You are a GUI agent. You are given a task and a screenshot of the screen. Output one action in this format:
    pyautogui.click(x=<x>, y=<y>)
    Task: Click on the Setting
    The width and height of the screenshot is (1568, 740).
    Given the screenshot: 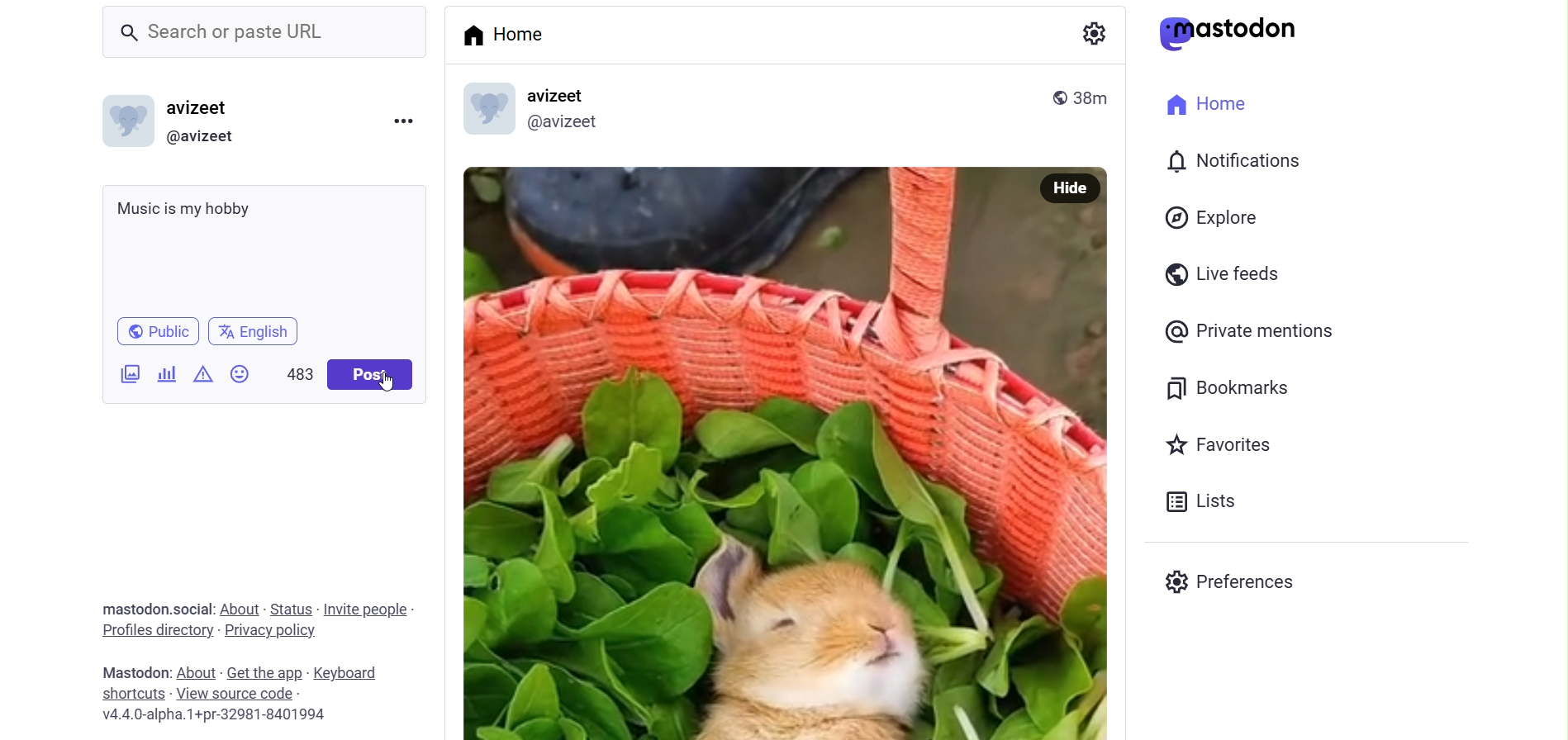 What is the action you would take?
    pyautogui.click(x=1095, y=31)
    